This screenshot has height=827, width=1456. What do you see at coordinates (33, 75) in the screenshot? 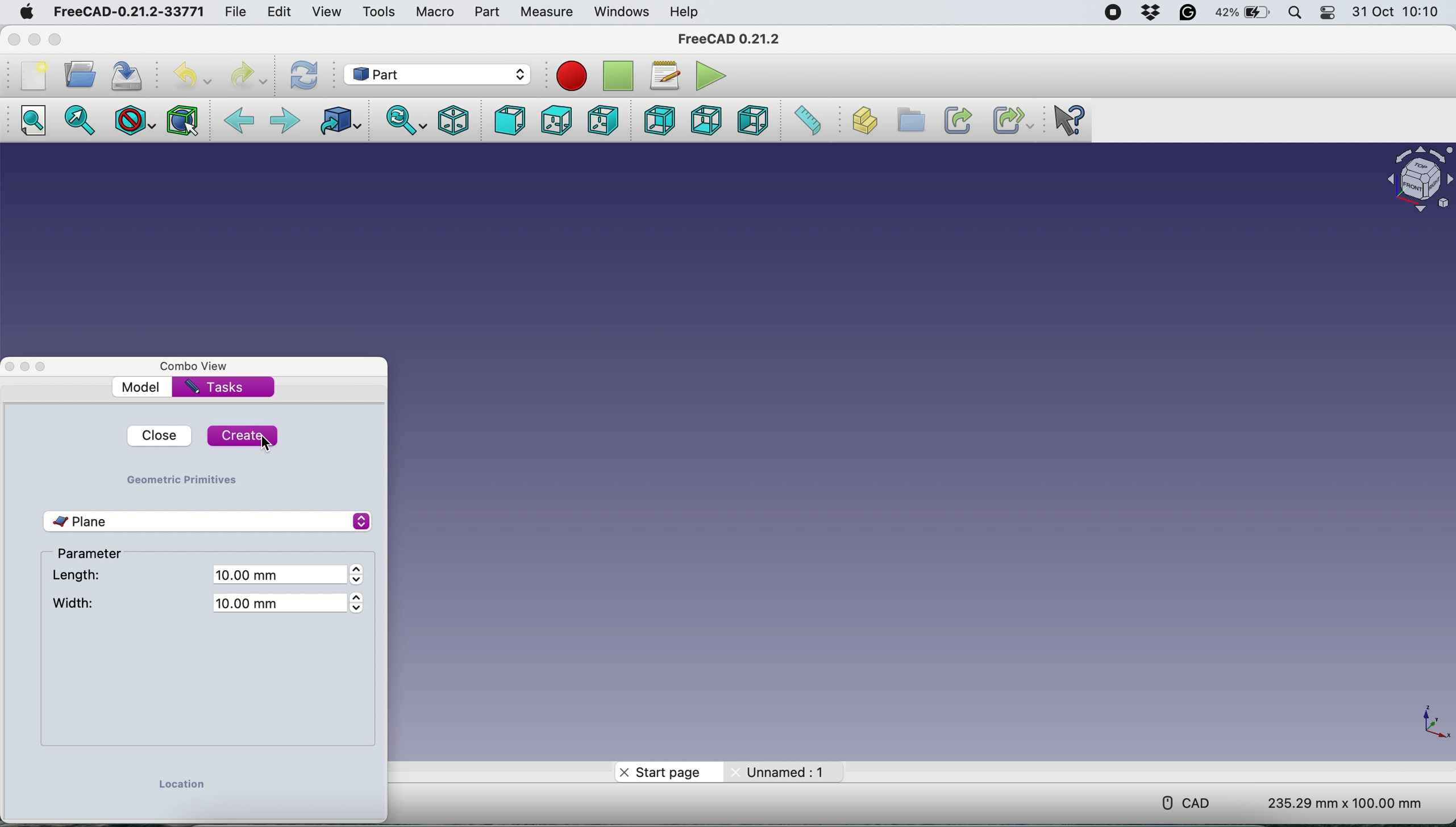
I see `New` at bounding box center [33, 75].